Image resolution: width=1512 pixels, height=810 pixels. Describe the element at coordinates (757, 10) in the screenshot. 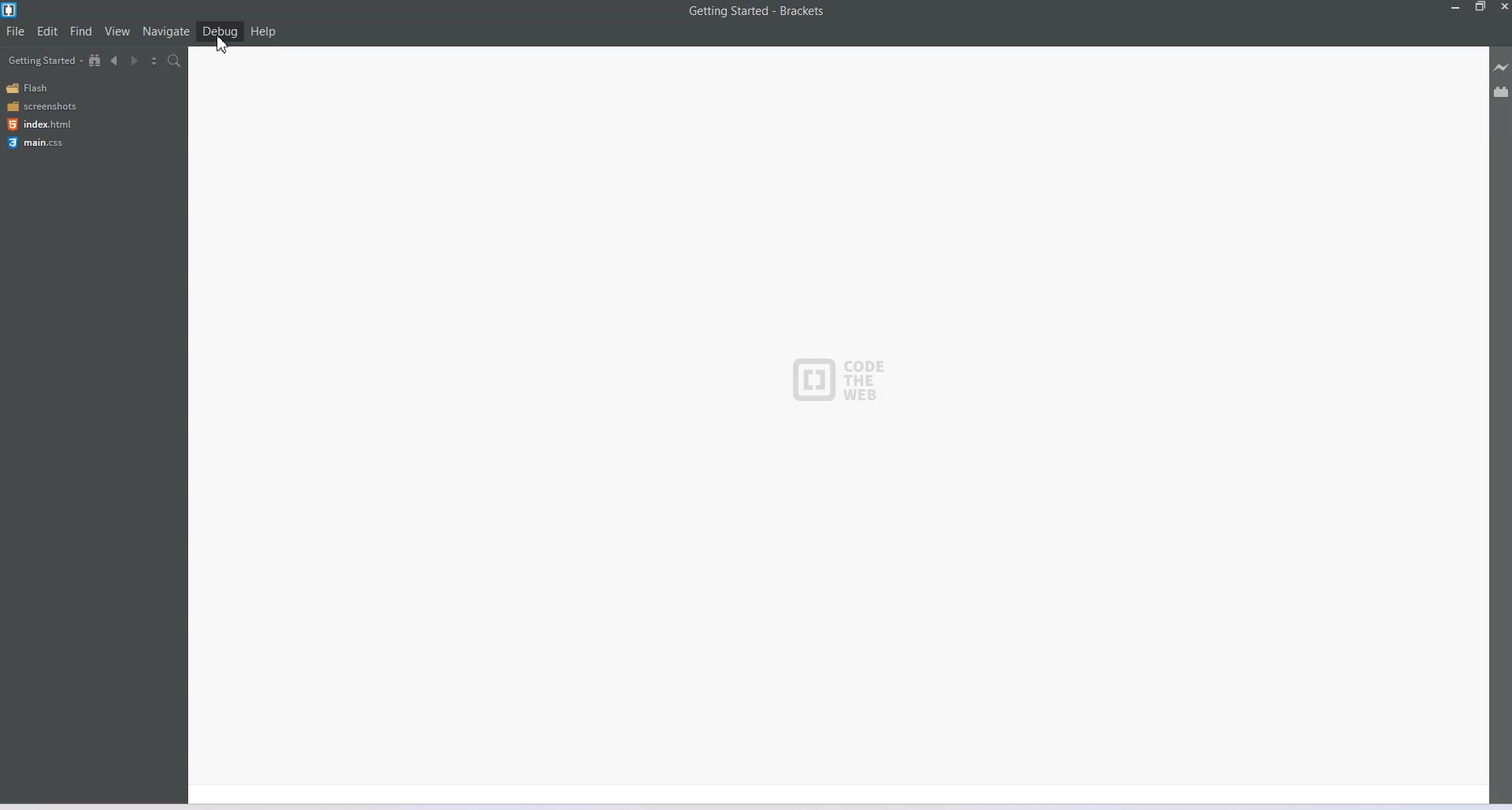

I see `Getting Started- Brackets` at that location.